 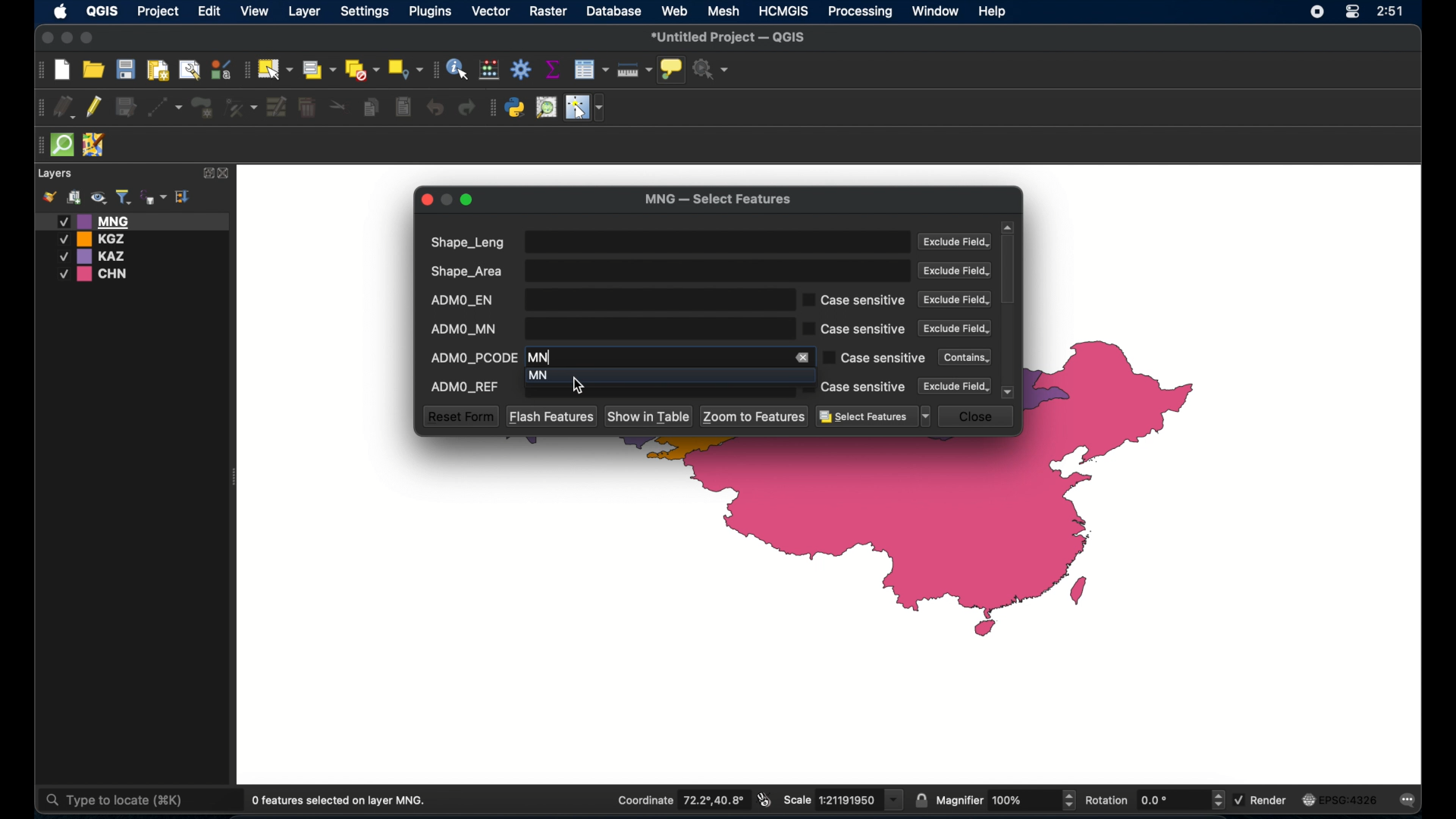 I want to click on attributes toolbar, so click(x=435, y=70).